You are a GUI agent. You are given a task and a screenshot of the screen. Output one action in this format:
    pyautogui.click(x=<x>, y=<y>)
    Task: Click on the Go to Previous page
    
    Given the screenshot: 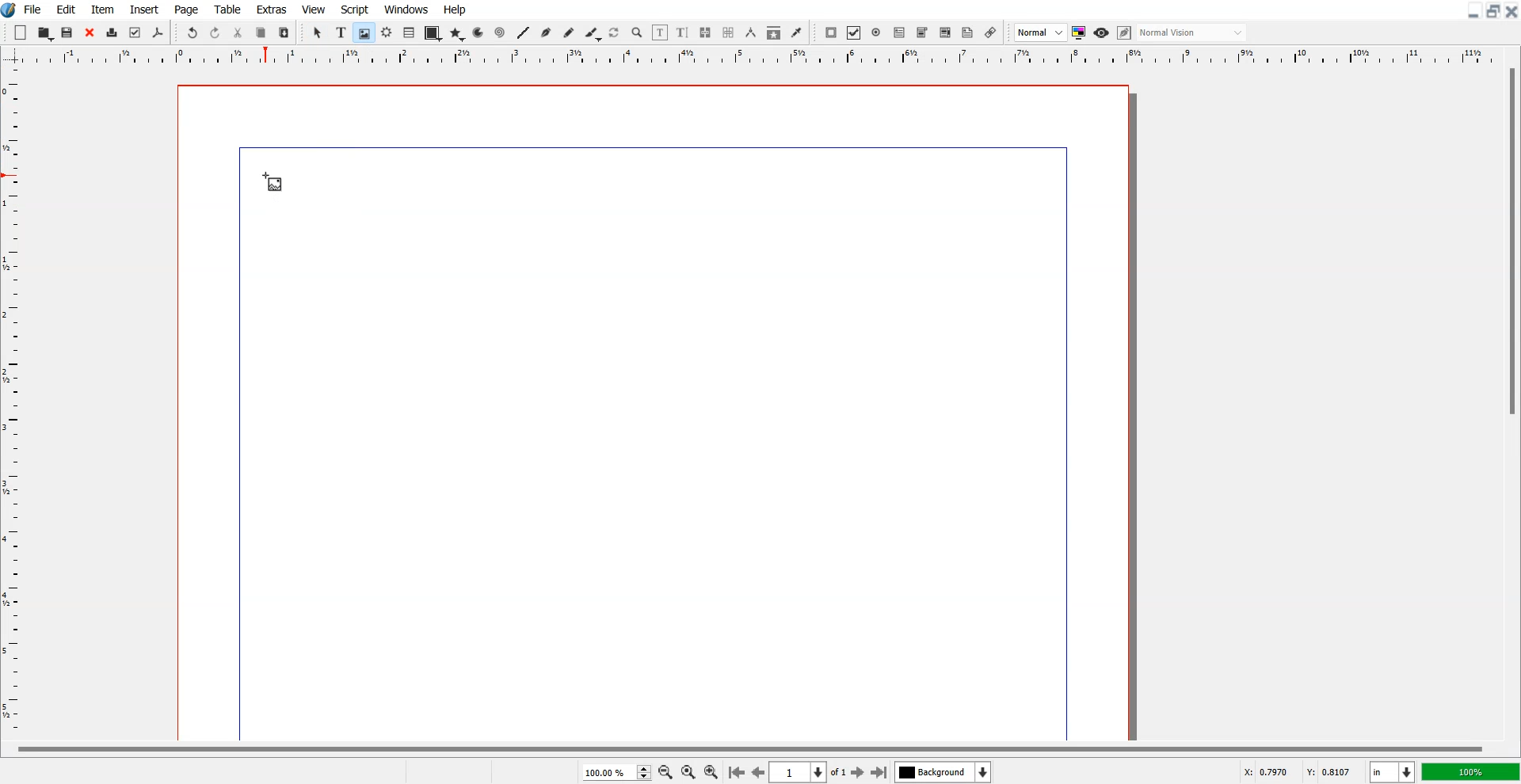 What is the action you would take?
    pyautogui.click(x=757, y=772)
    